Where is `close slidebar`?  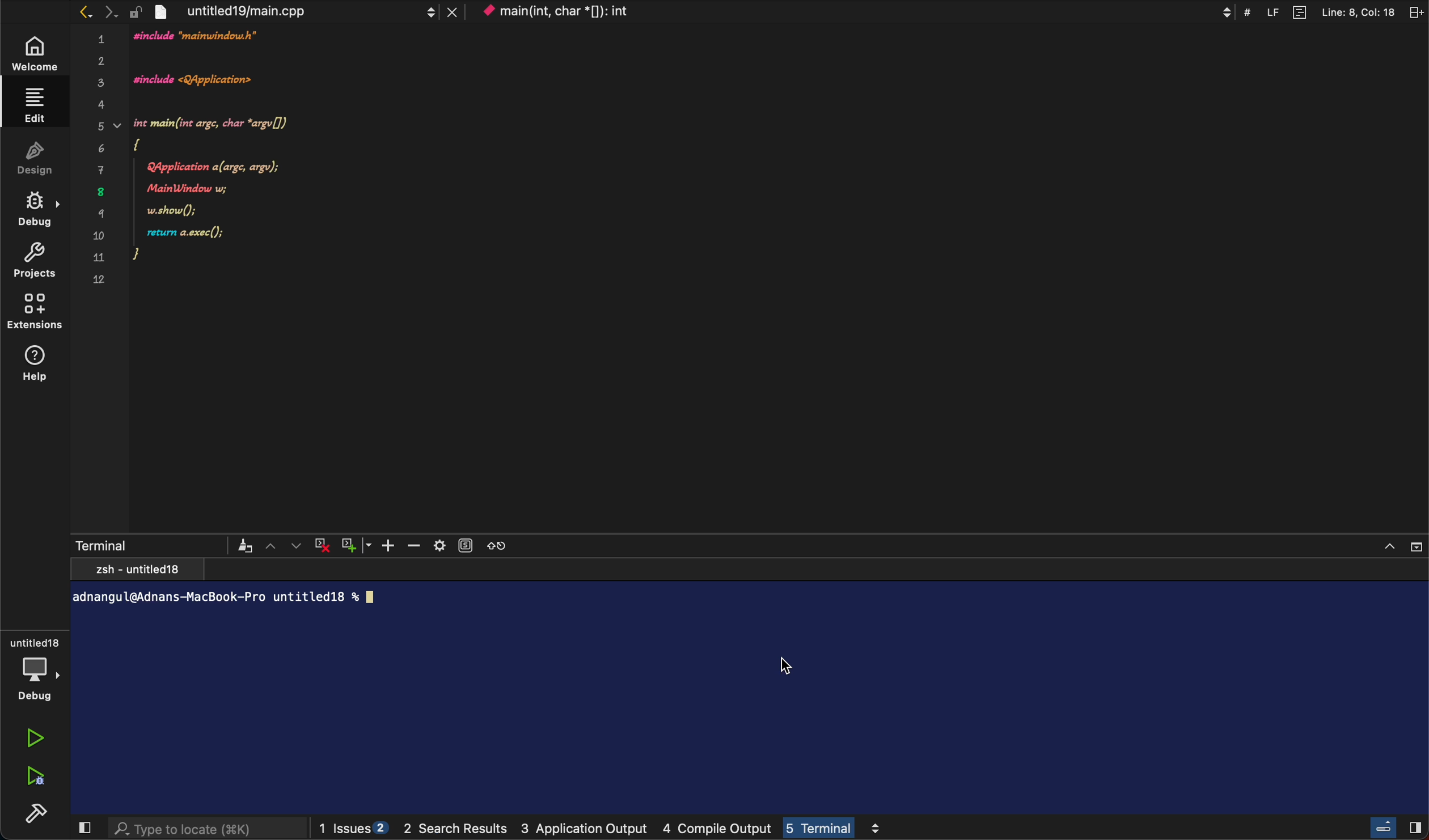
close slidebar is located at coordinates (80, 827).